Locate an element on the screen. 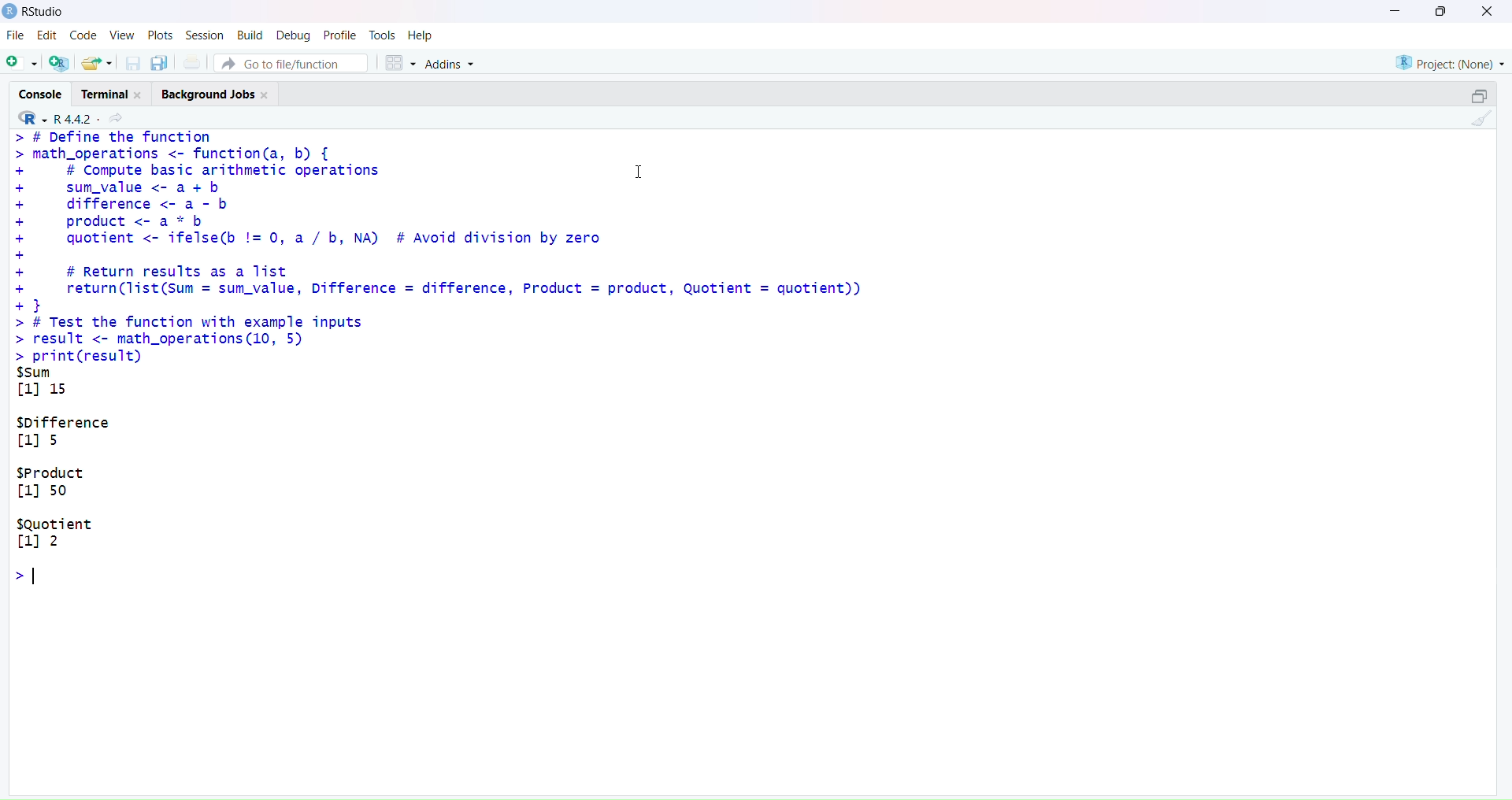  Save all open documents (Ctrl + Alt + S) is located at coordinates (158, 61).